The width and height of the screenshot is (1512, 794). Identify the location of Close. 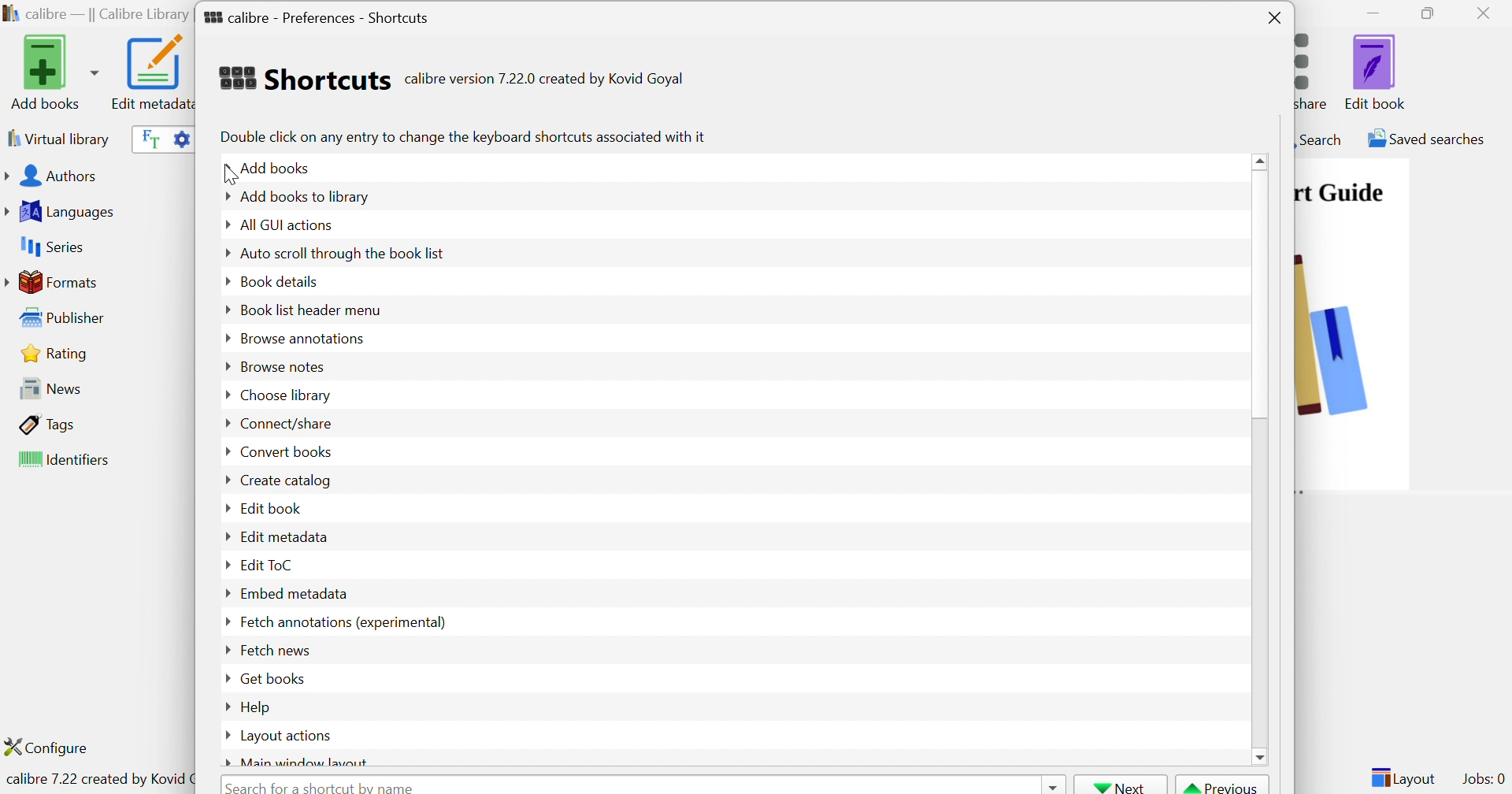
(1488, 13).